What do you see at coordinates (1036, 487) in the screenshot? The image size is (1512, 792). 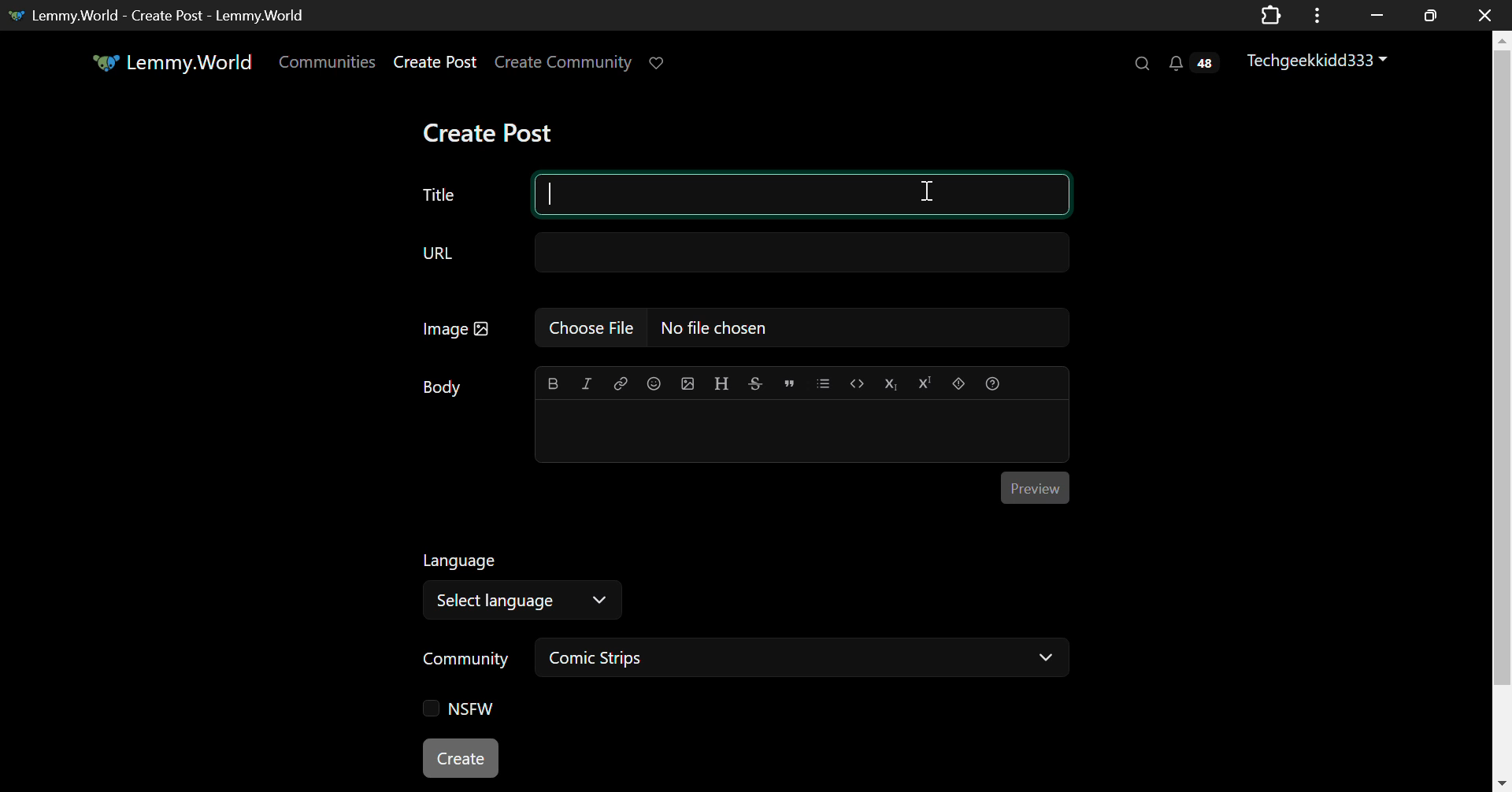 I see `Preview` at bounding box center [1036, 487].